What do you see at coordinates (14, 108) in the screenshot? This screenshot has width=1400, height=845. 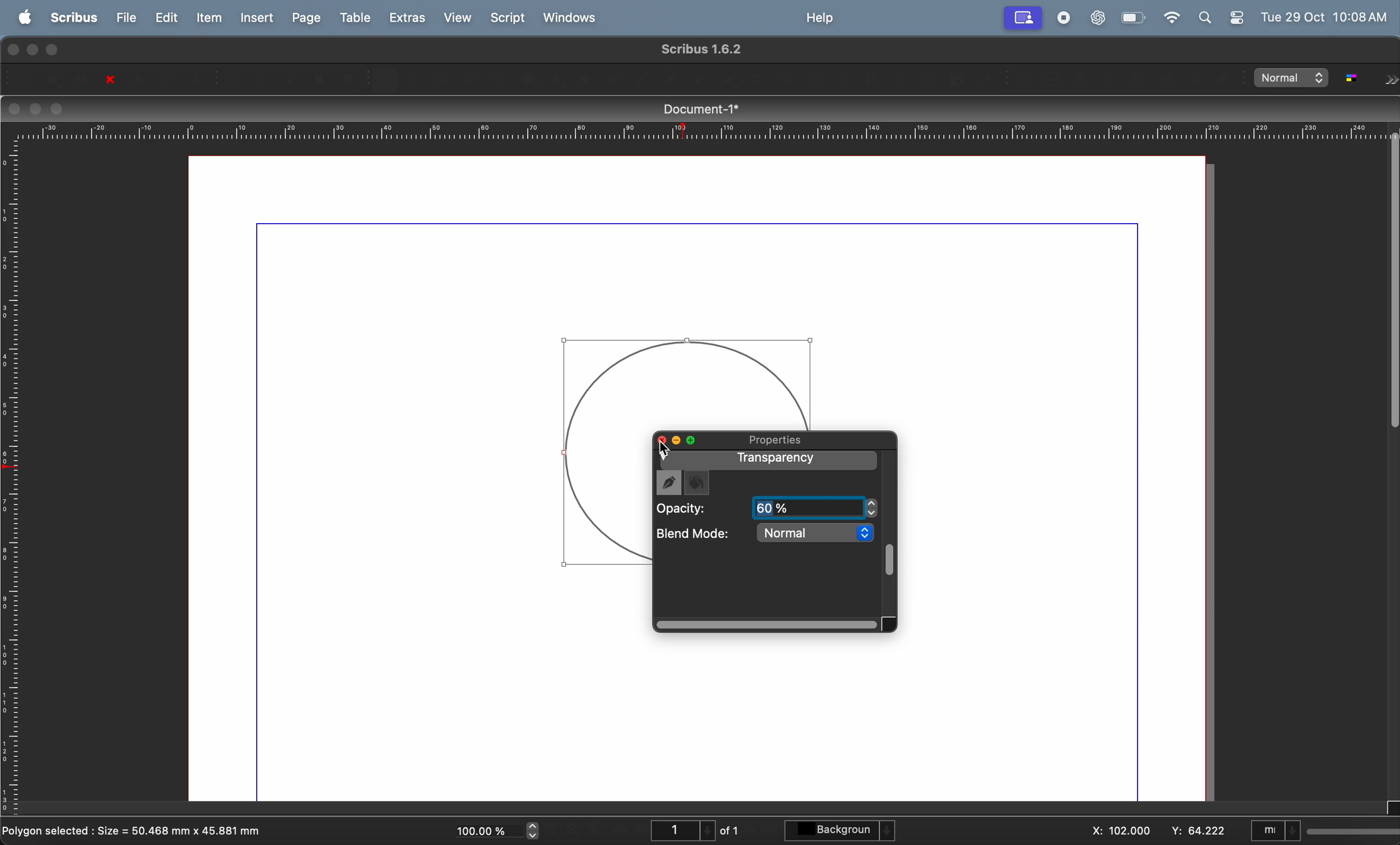 I see `closing window` at bounding box center [14, 108].